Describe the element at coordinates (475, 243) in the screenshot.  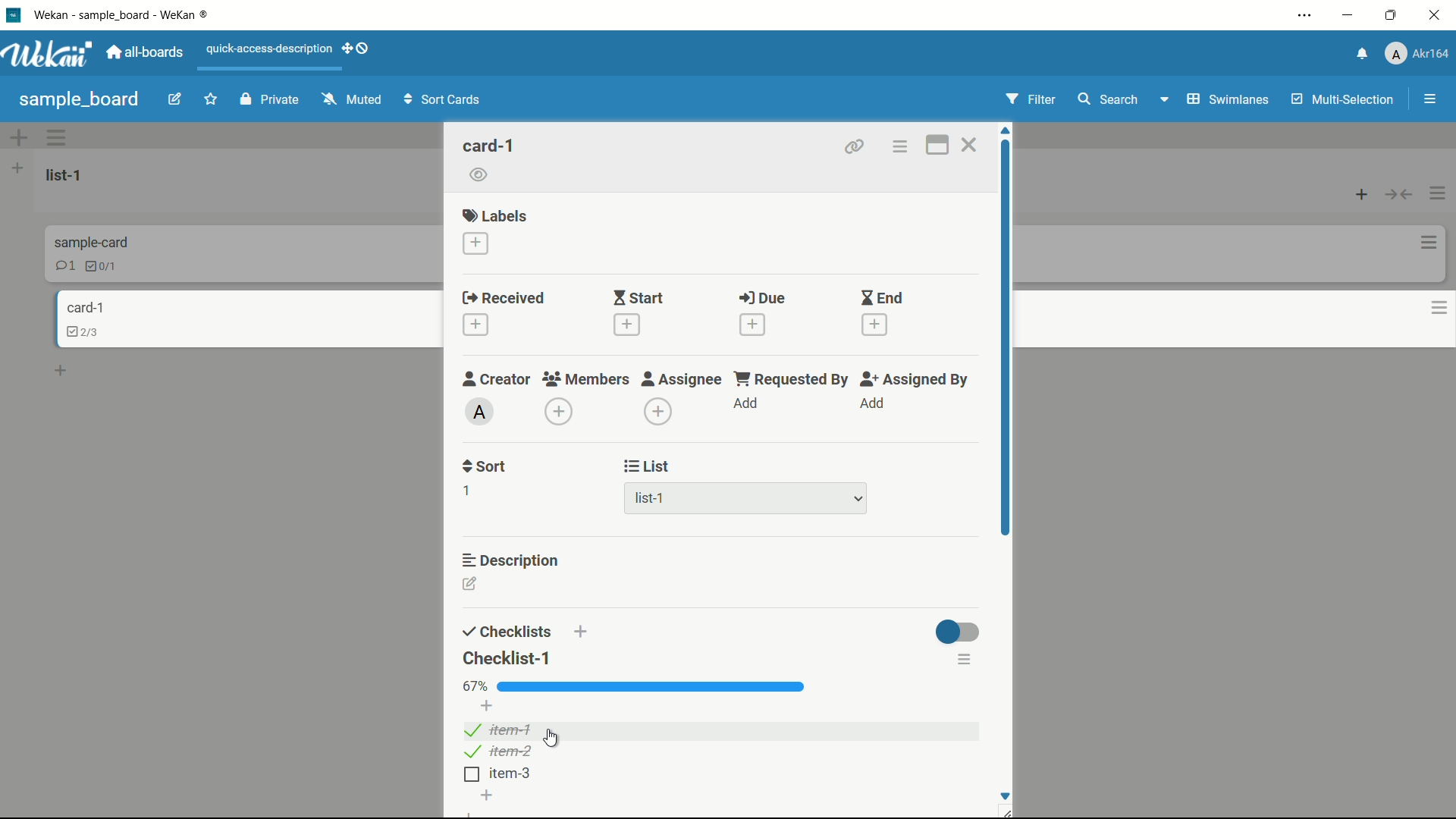
I see `add label` at that location.